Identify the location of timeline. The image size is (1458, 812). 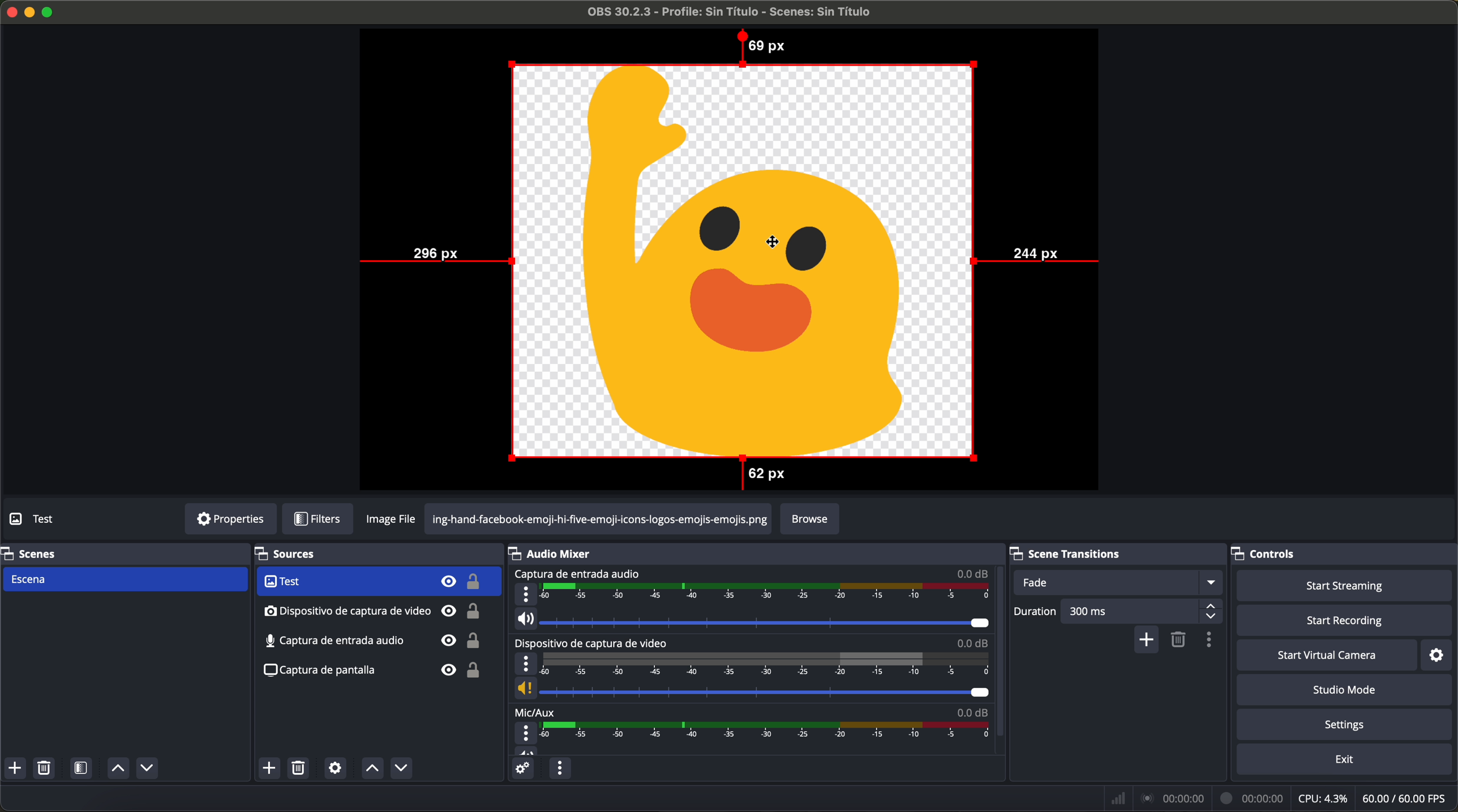
(766, 593).